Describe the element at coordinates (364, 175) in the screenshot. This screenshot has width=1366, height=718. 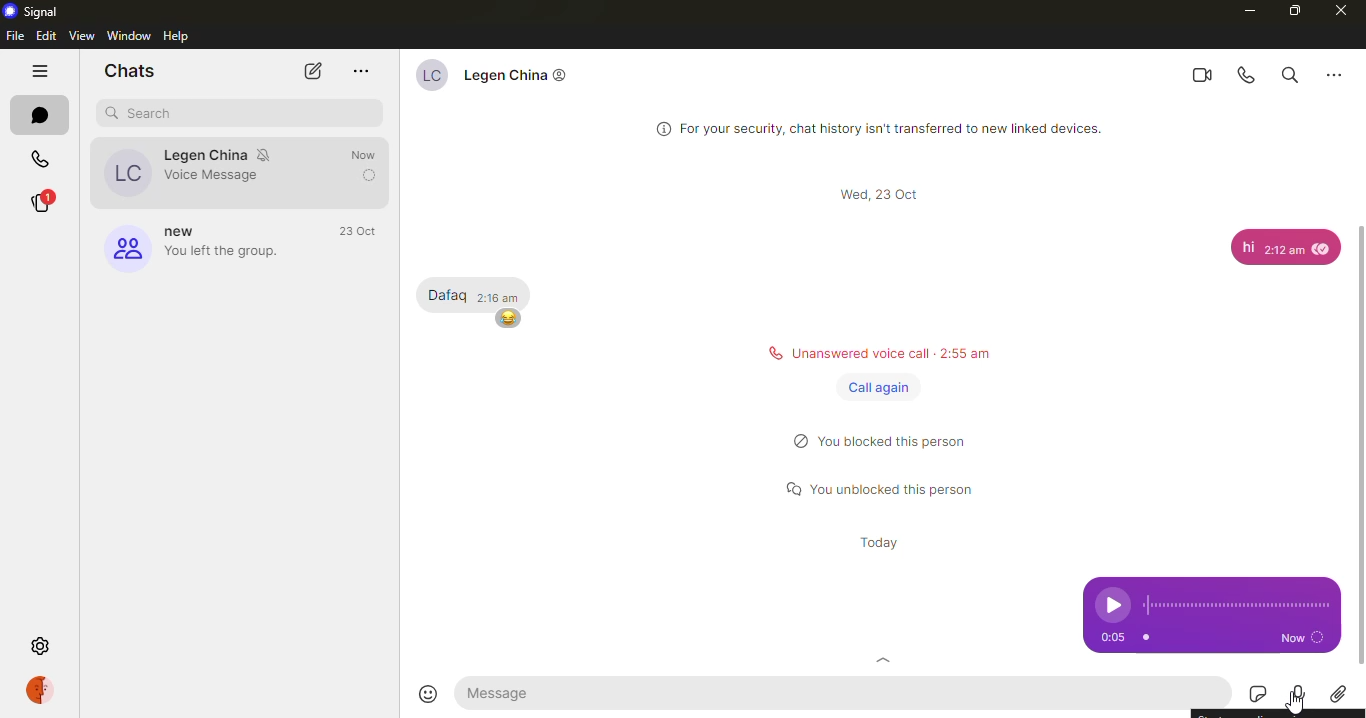
I see `now` at that location.